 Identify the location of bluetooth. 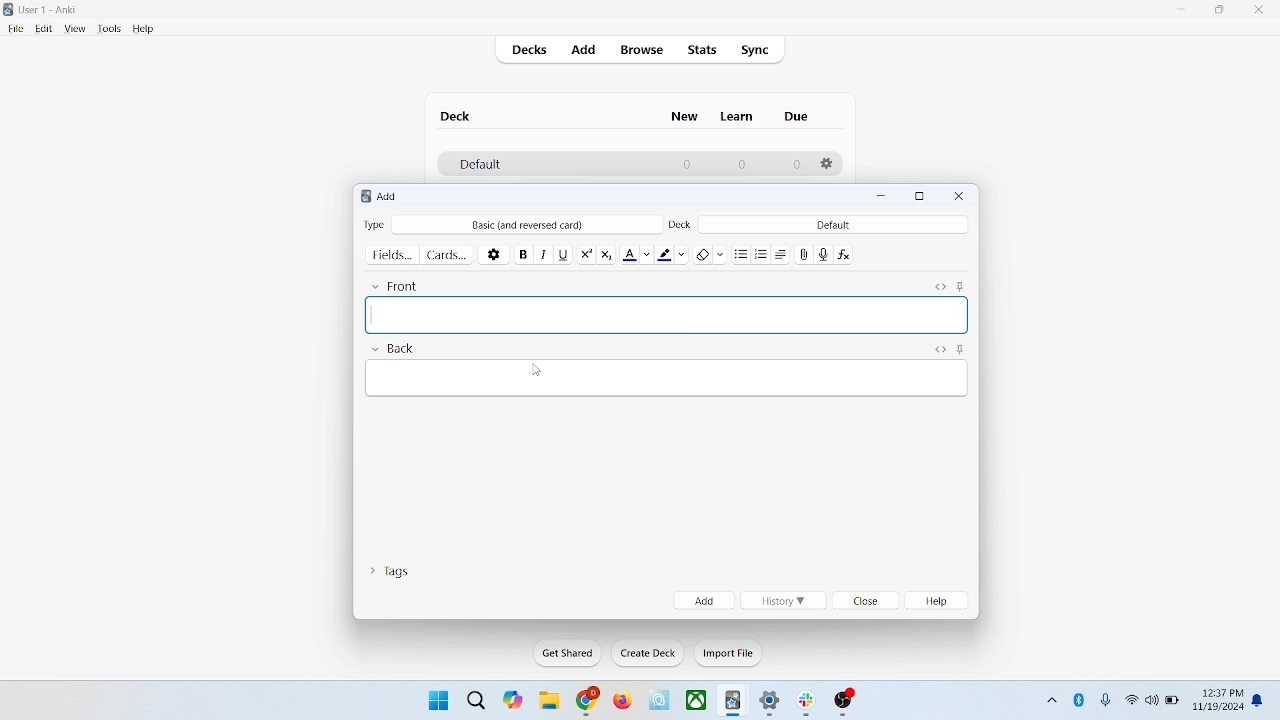
(1080, 699).